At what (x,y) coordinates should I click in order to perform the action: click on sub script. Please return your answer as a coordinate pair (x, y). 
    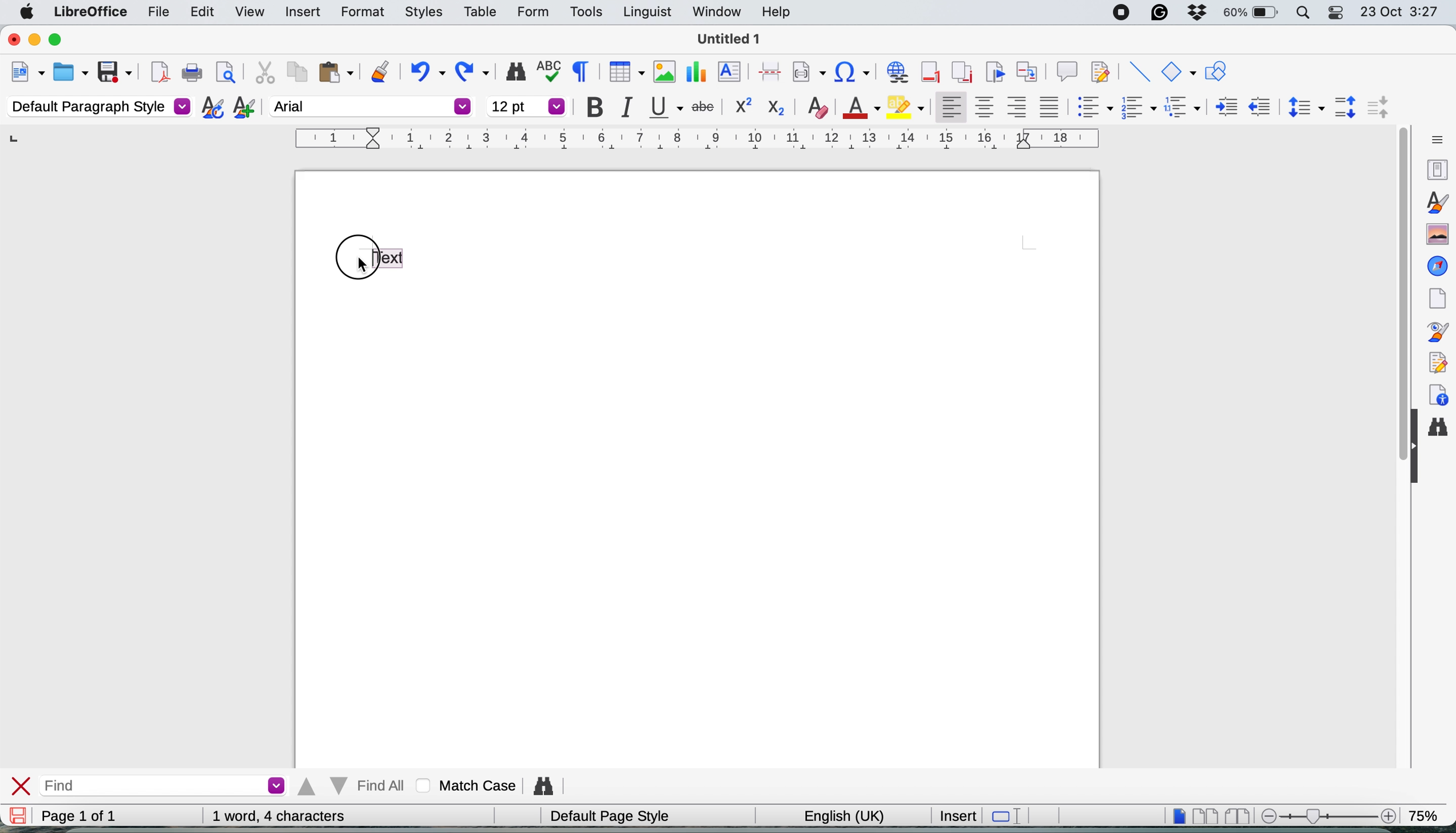
    Looking at the image, I should click on (778, 106).